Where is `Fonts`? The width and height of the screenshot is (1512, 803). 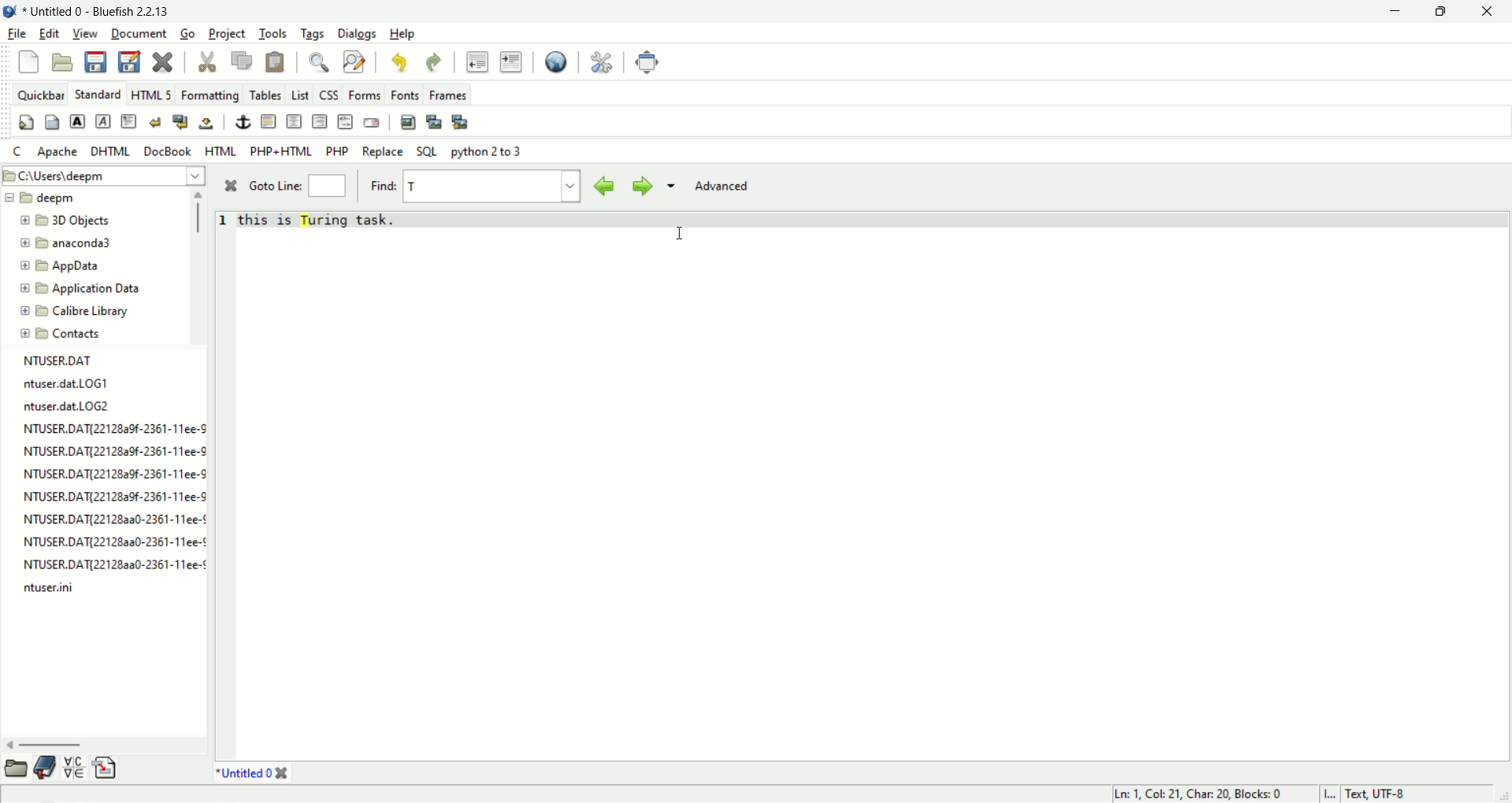
Fonts is located at coordinates (407, 96).